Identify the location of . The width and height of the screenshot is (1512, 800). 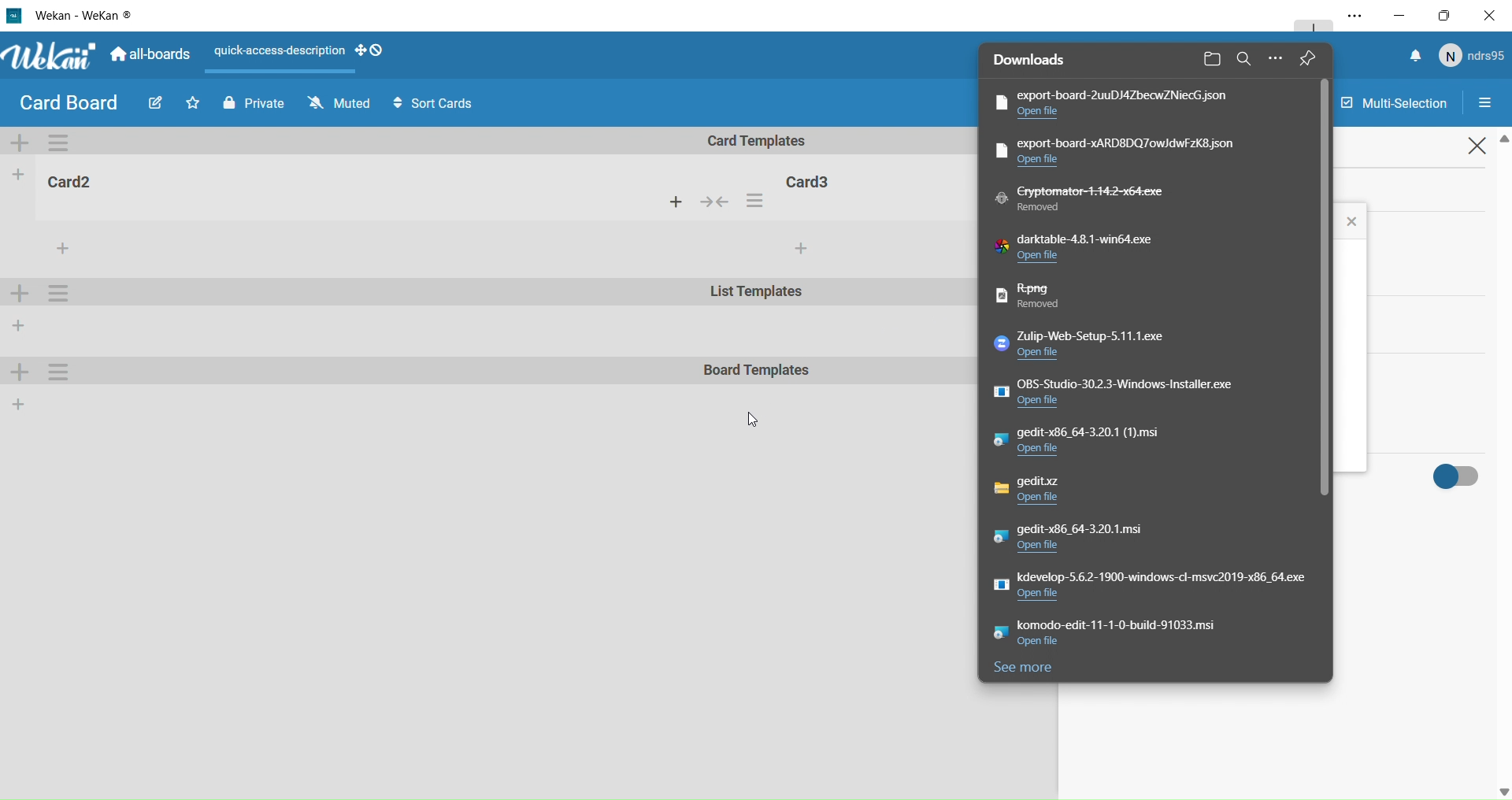
(191, 102).